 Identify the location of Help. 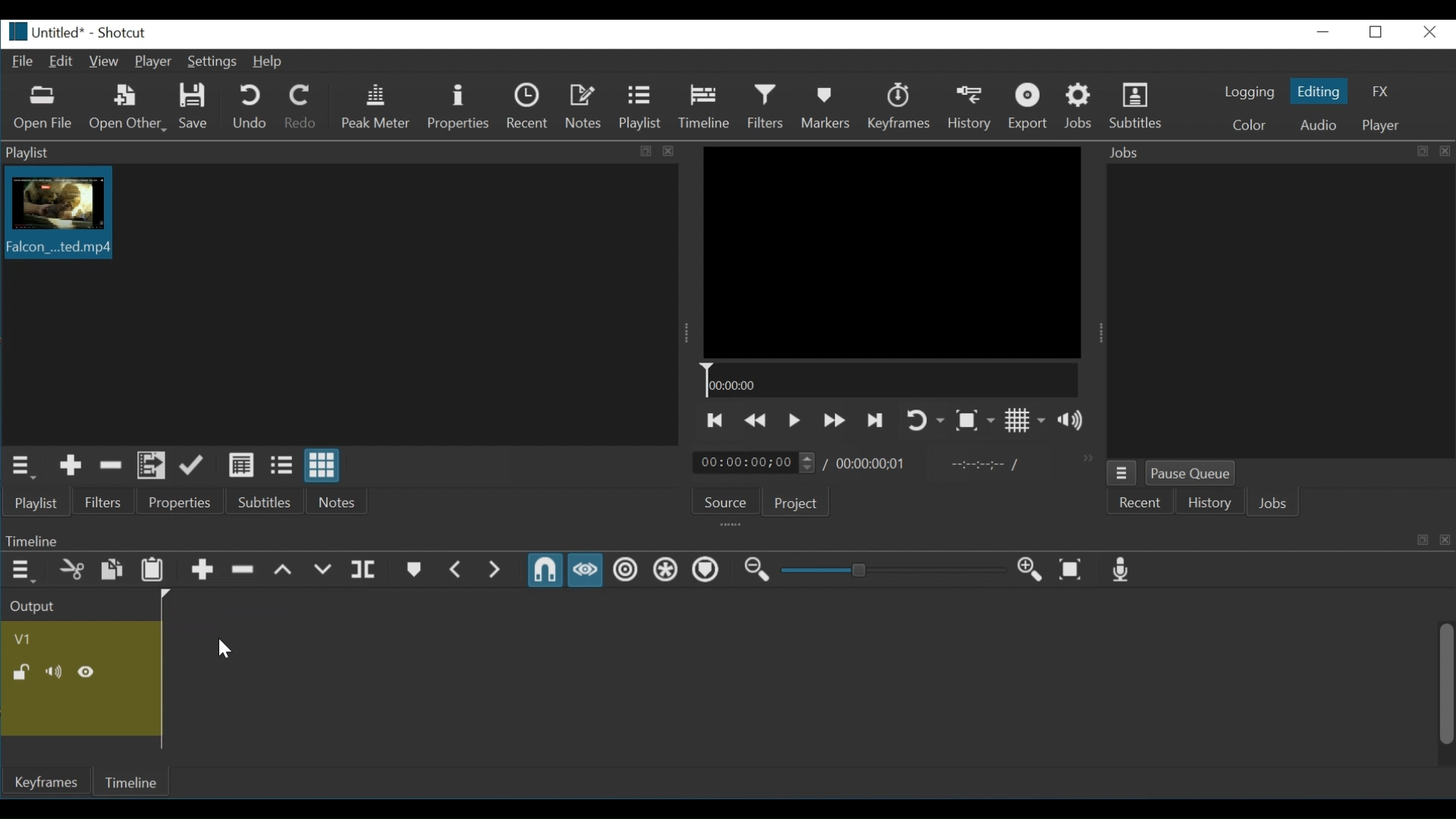
(269, 63).